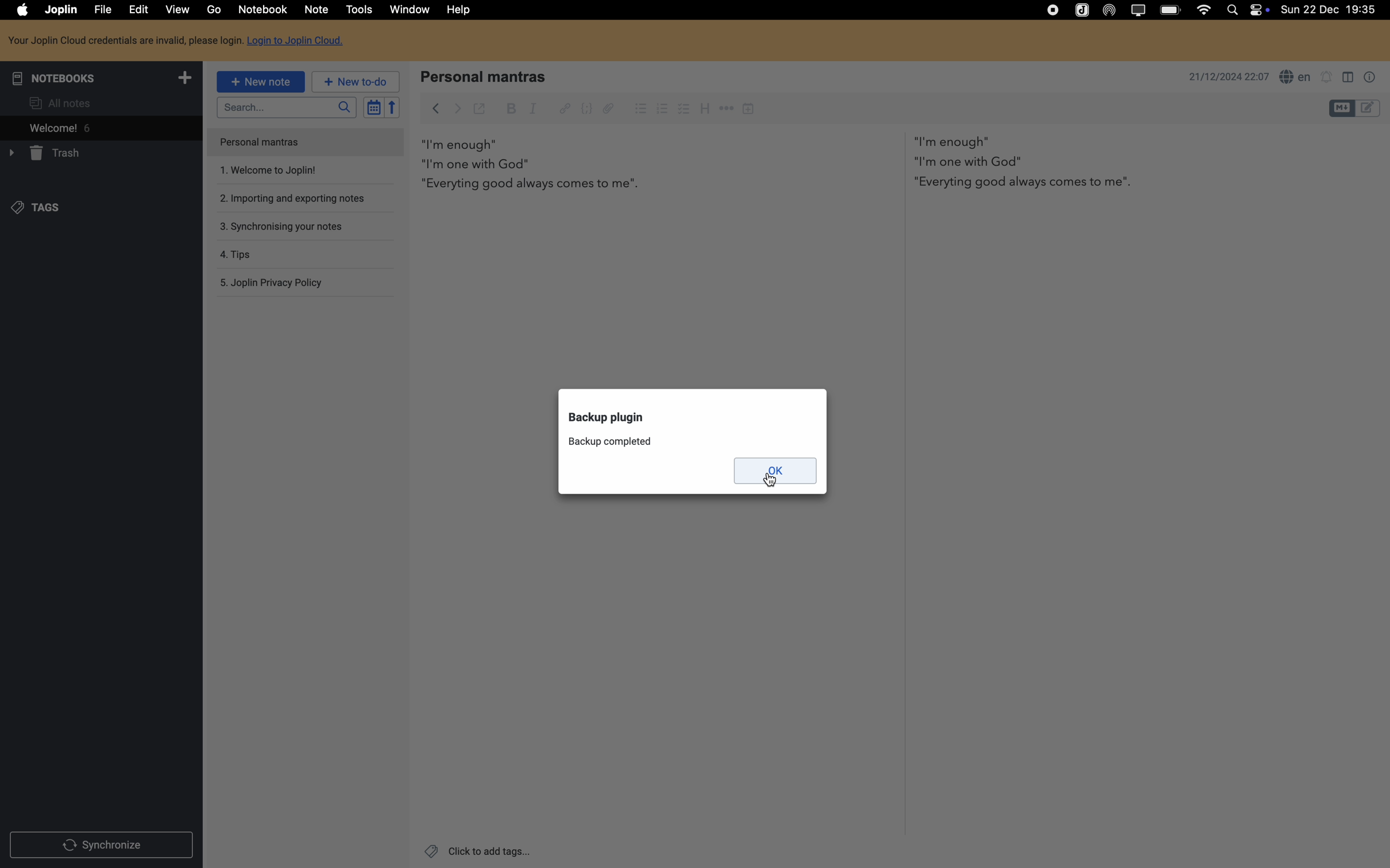  What do you see at coordinates (355, 11) in the screenshot?
I see `click on tools` at bounding box center [355, 11].